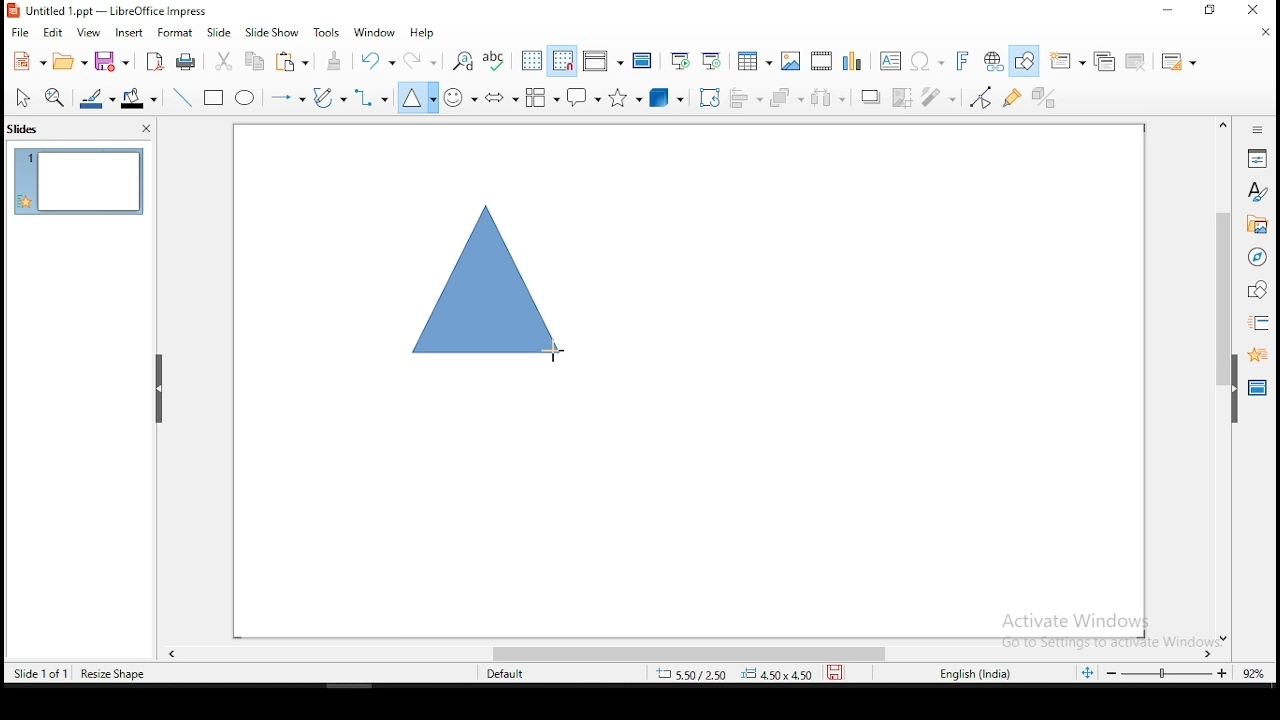 The height and width of the screenshot is (720, 1280). I want to click on fill color, so click(143, 96).